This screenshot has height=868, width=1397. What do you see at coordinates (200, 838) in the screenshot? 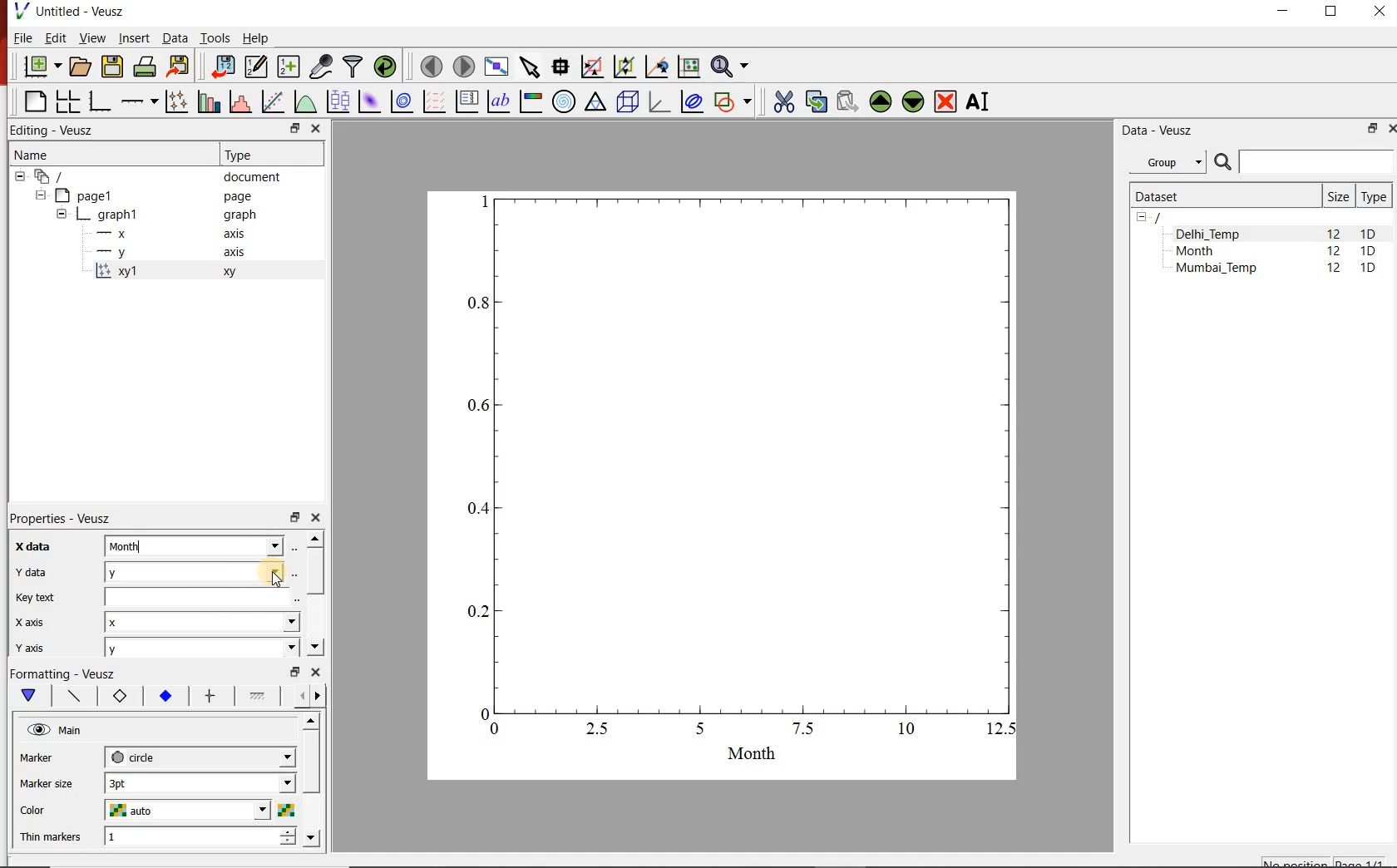
I see `1` at bounding box center [200, 838].